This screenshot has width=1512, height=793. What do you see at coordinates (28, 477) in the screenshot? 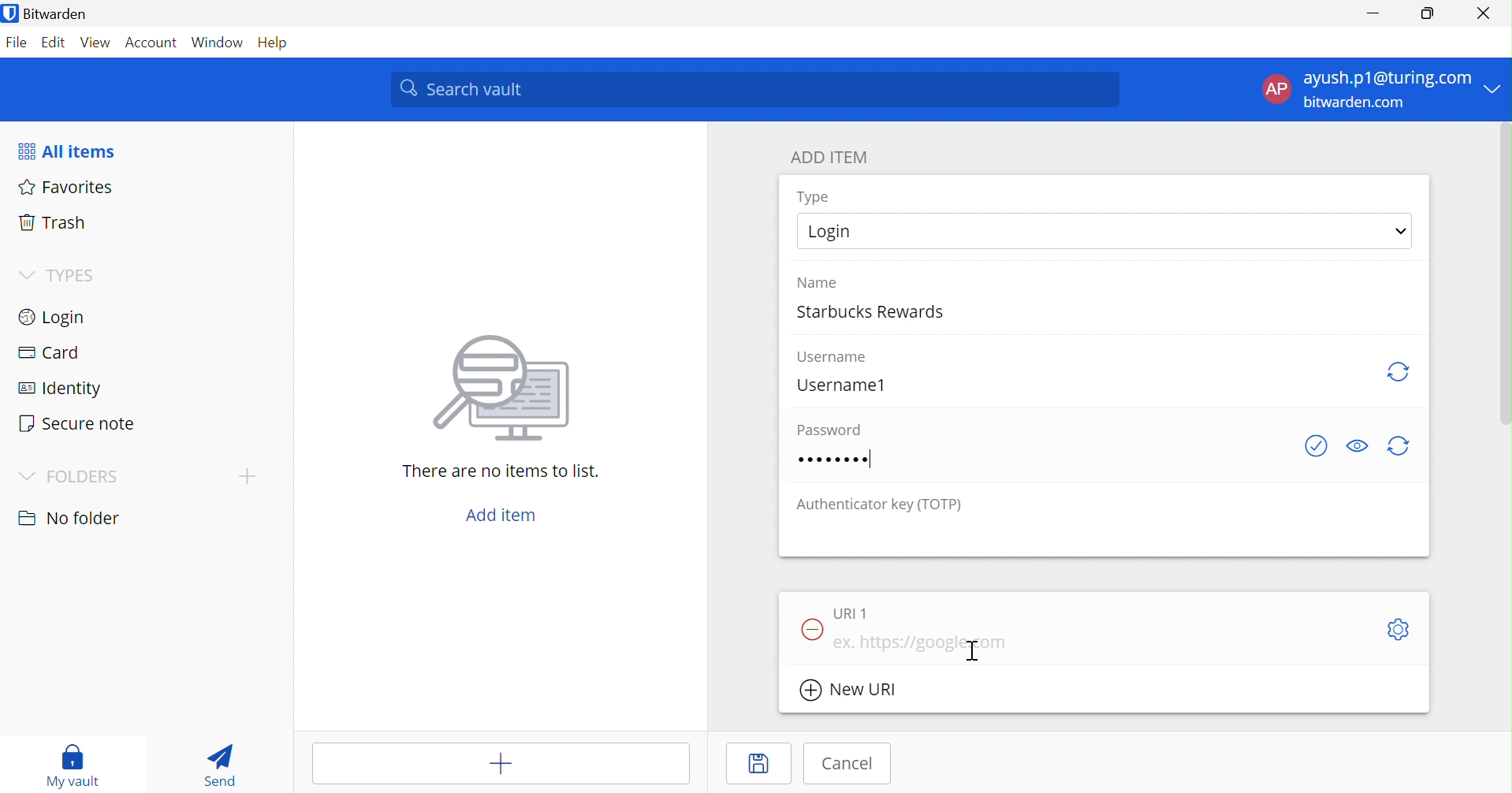
I see `Drop Down` at bounding box center [28, 477].